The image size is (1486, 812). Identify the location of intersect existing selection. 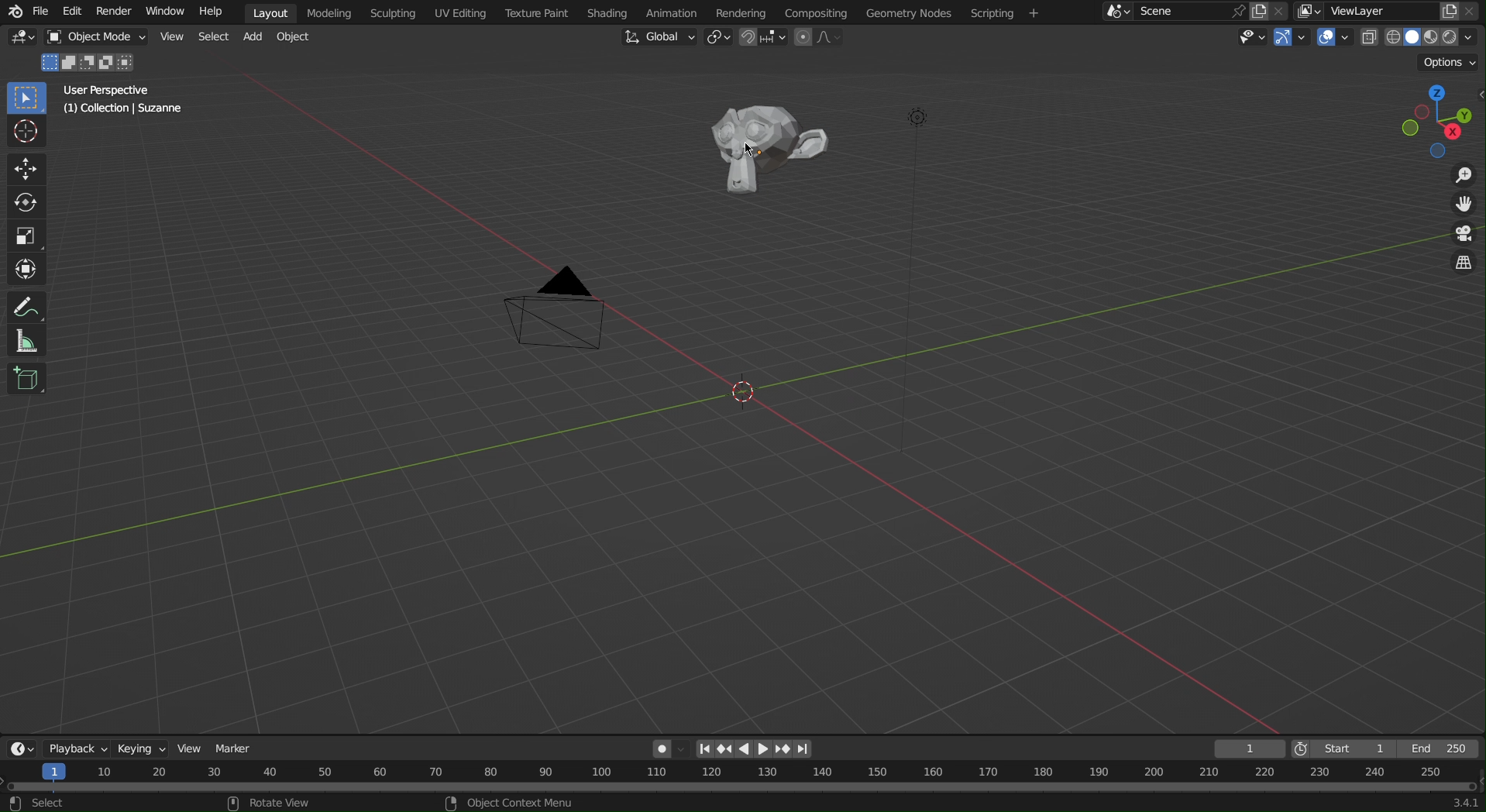
(130, 63).